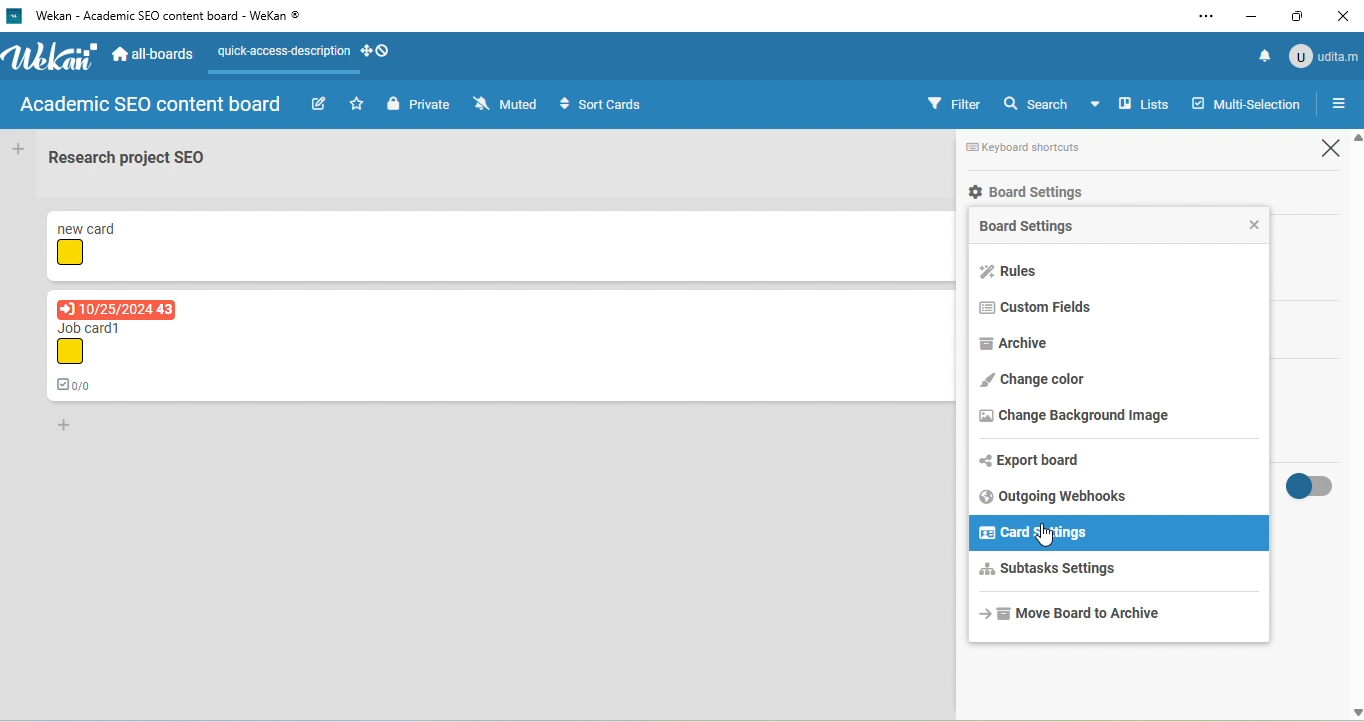  I want to click on maximize, so click(1301, 15).